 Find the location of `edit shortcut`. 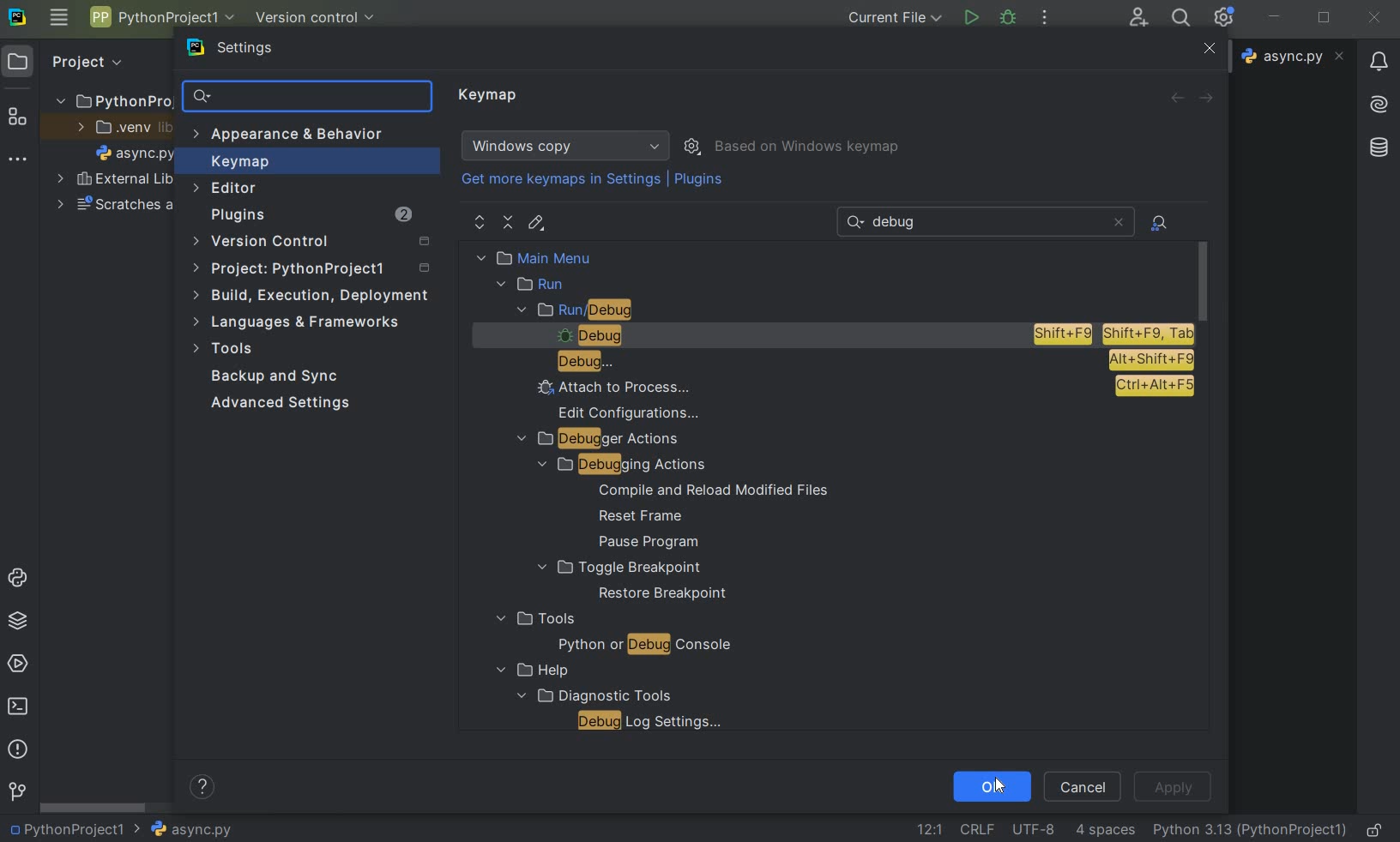

edit shortcut is located at coordinates (535, 223).